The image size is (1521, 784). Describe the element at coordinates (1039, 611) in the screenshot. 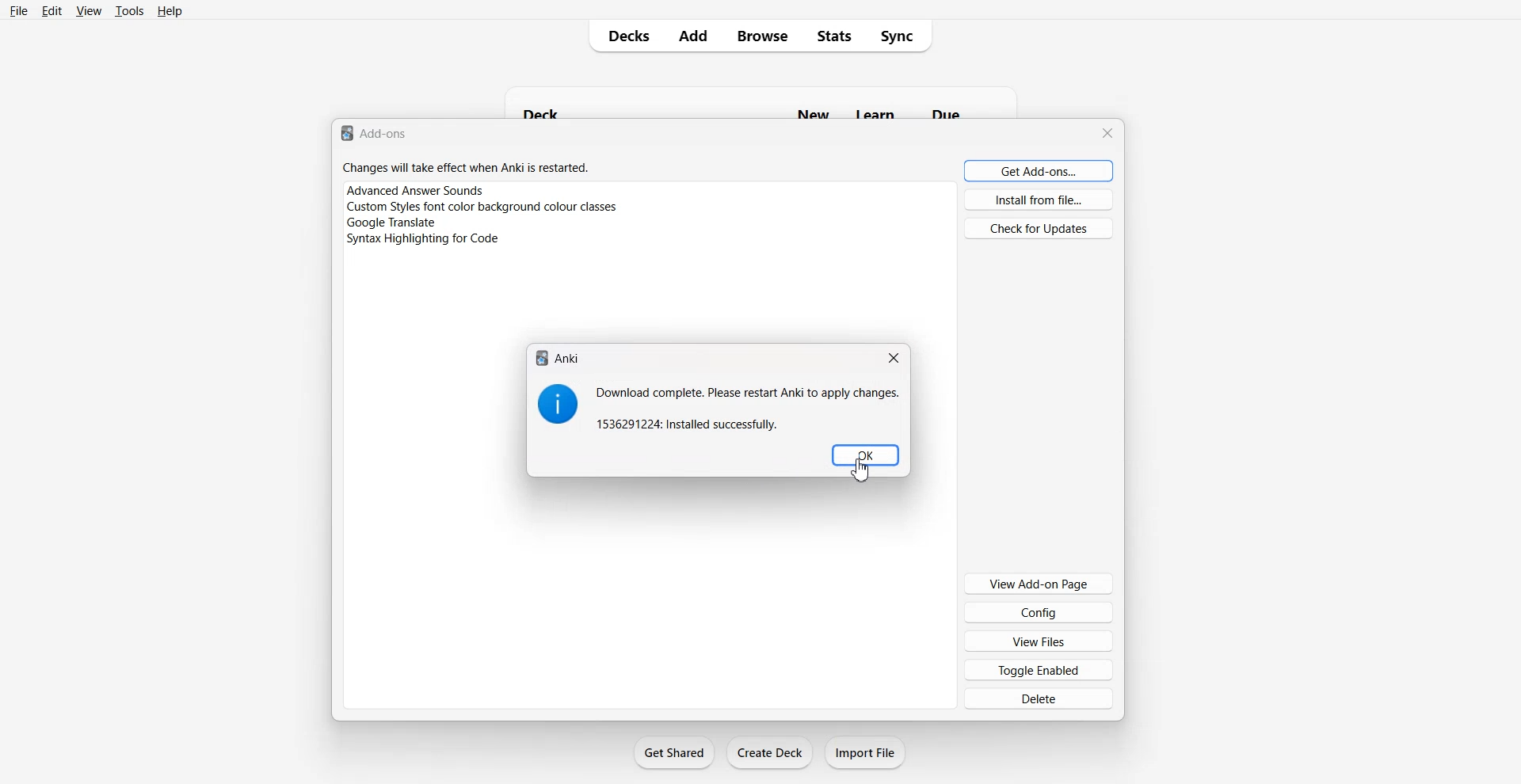

I see `Config` at that location.